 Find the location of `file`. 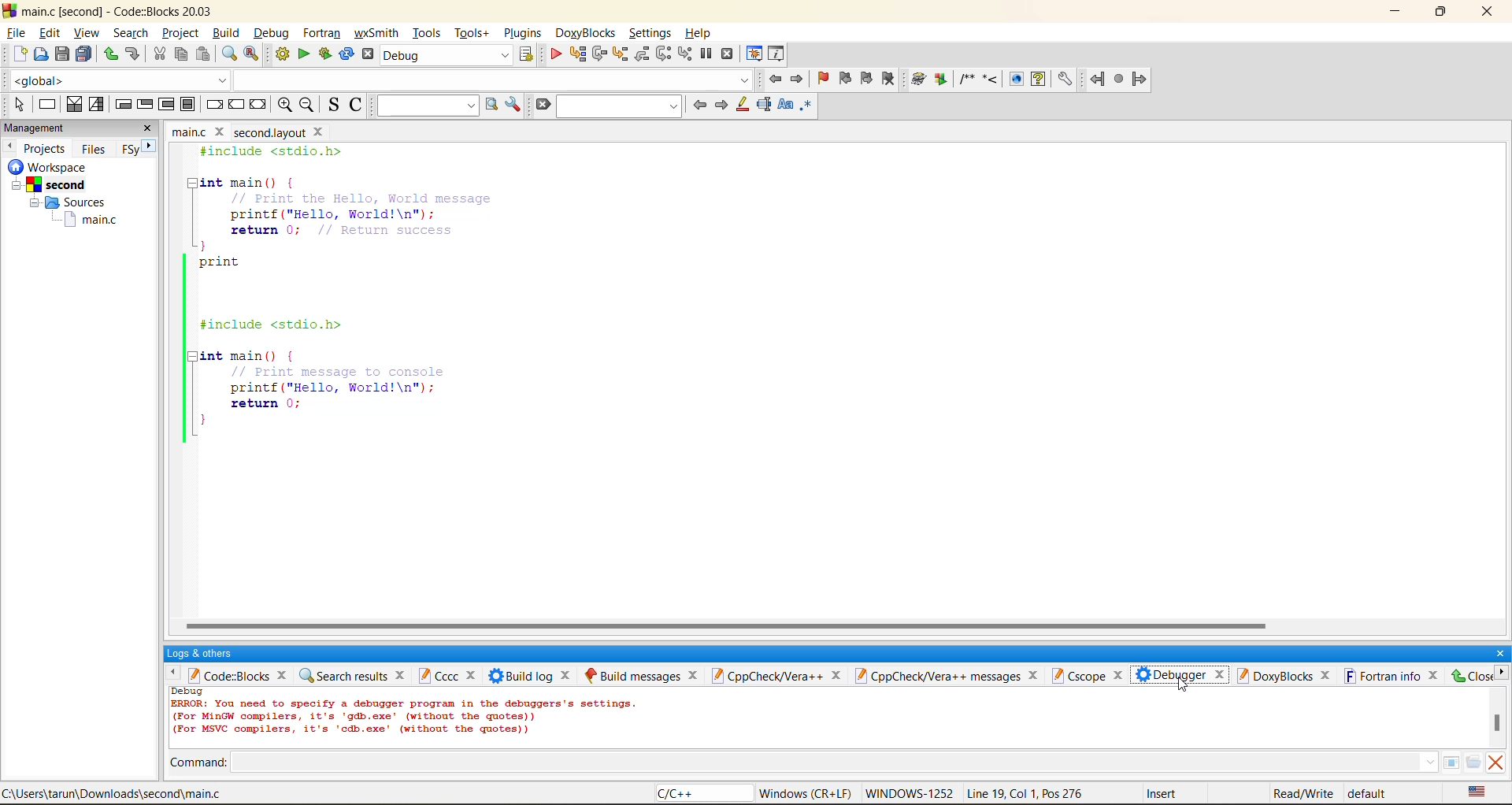

file is located at coordinates (17, 31).